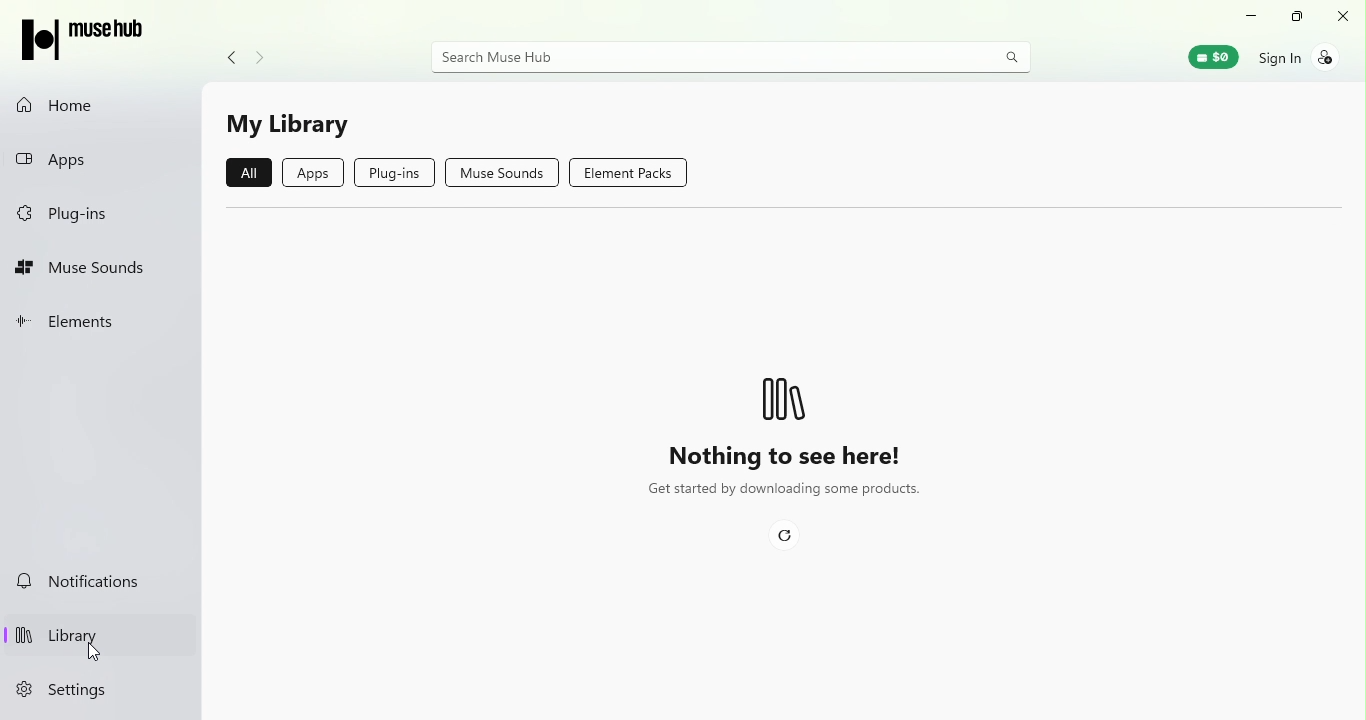  What do you see at coordinates (780, 477) in the screenshot?
I see `Nothing to see here:
Get started by downloading some products.` at bounding box center [780, 477].